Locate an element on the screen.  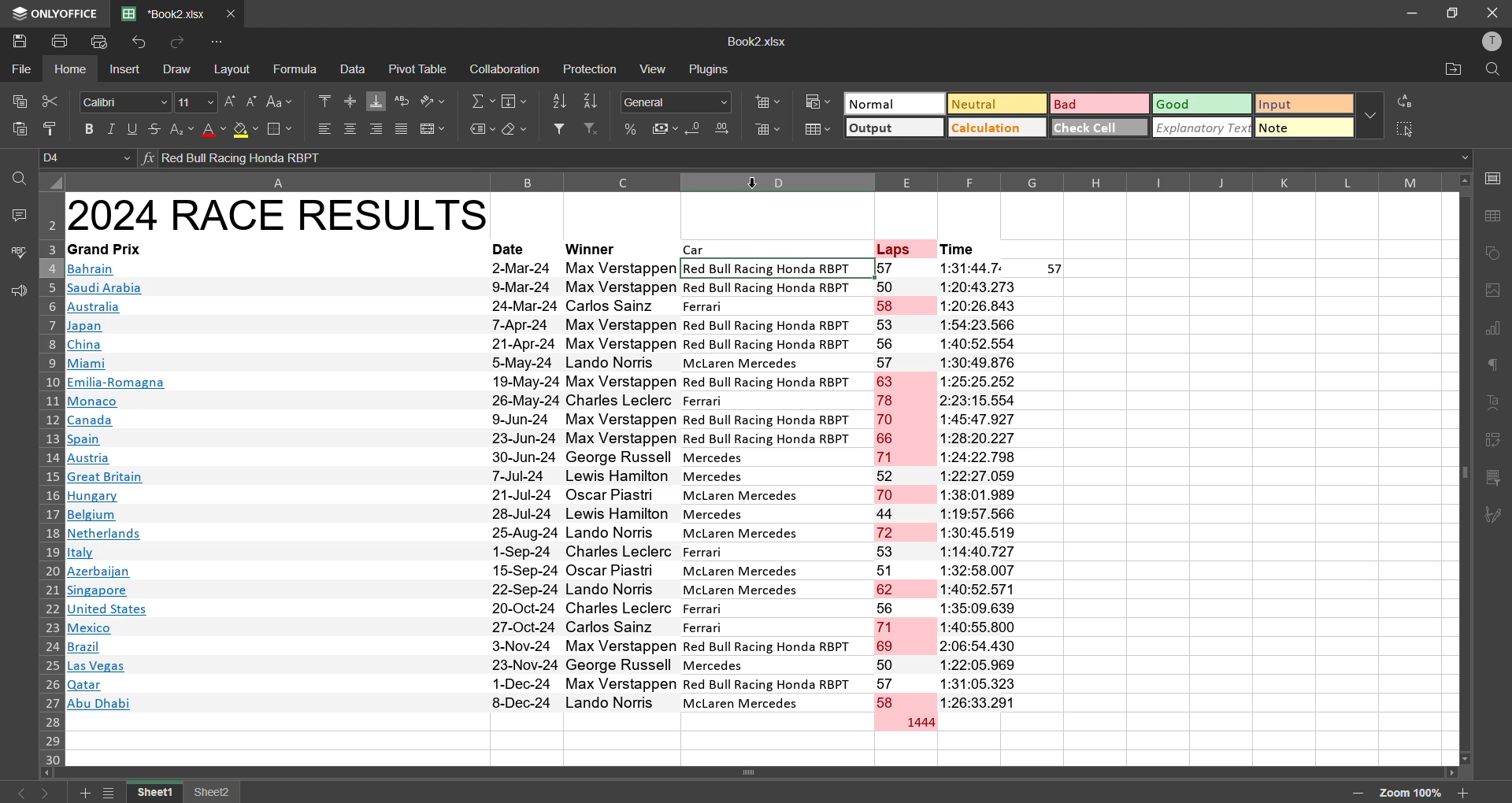
insert cells is located at coordinates (766, 100).